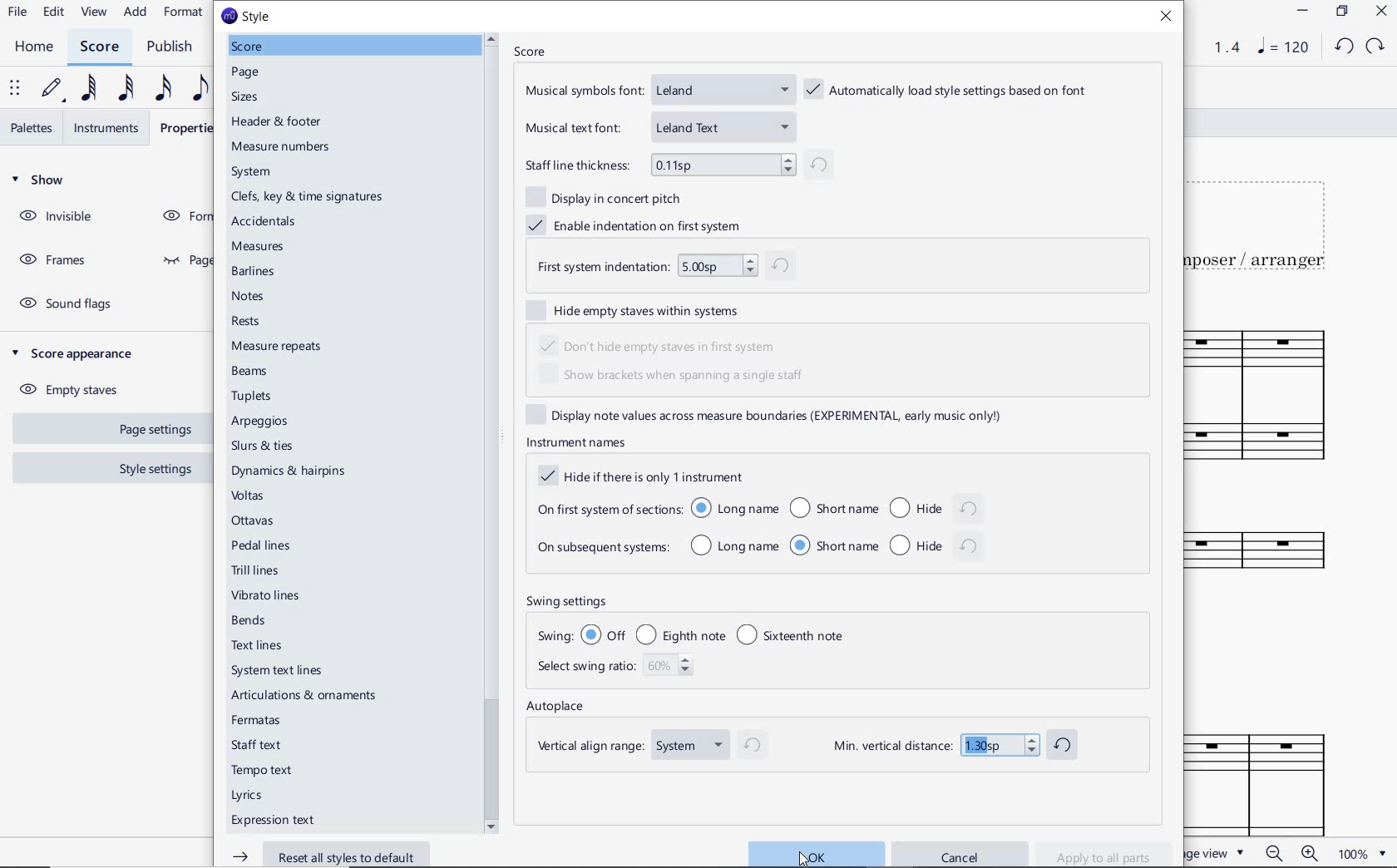  What do you see at coordinates (575, 442) in the screenshot?
I see `INSTRUMENT NAMES` at bounding box center [575, 442].